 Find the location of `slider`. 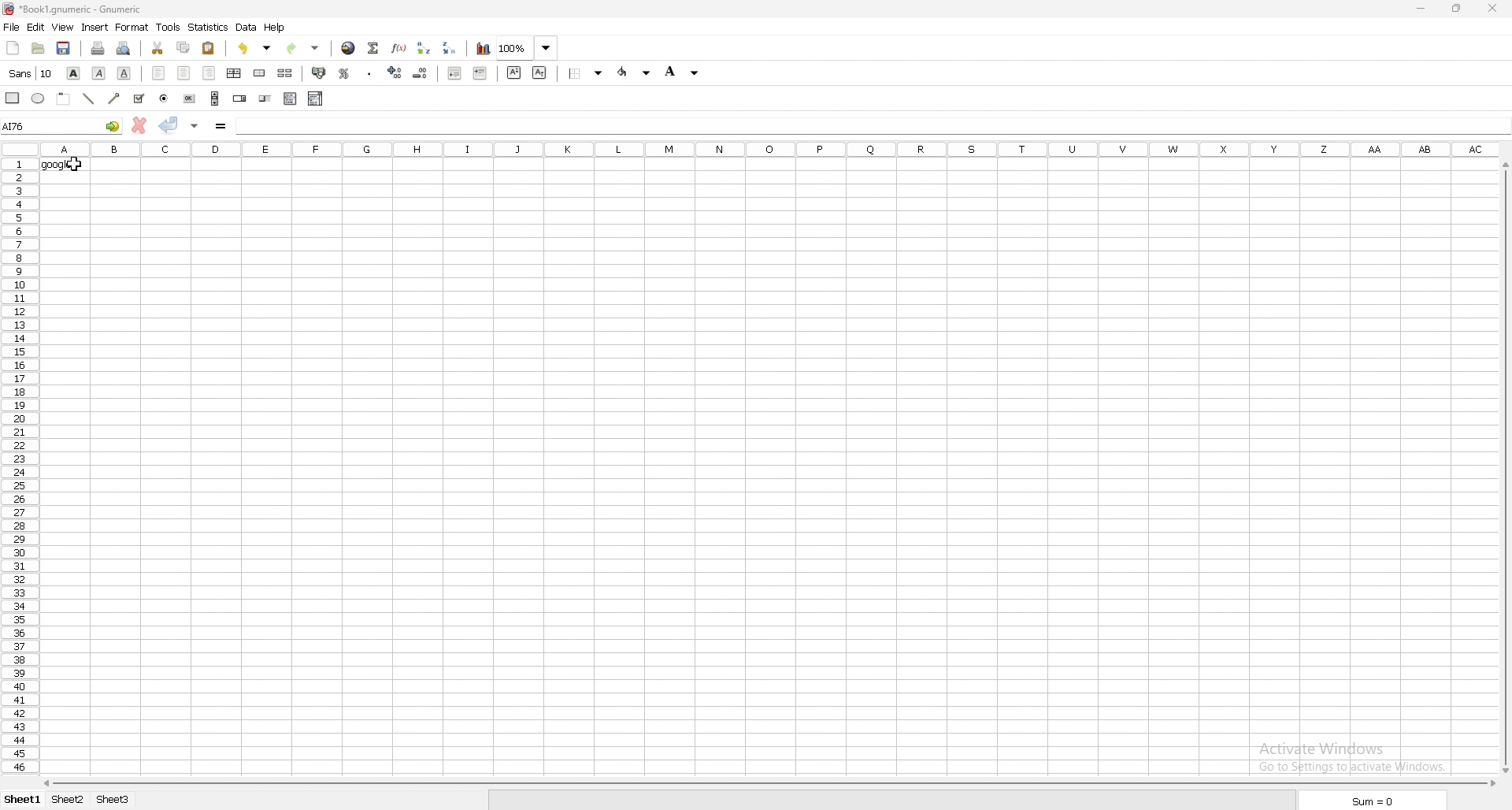

slider is located at coordinates (265, 98).